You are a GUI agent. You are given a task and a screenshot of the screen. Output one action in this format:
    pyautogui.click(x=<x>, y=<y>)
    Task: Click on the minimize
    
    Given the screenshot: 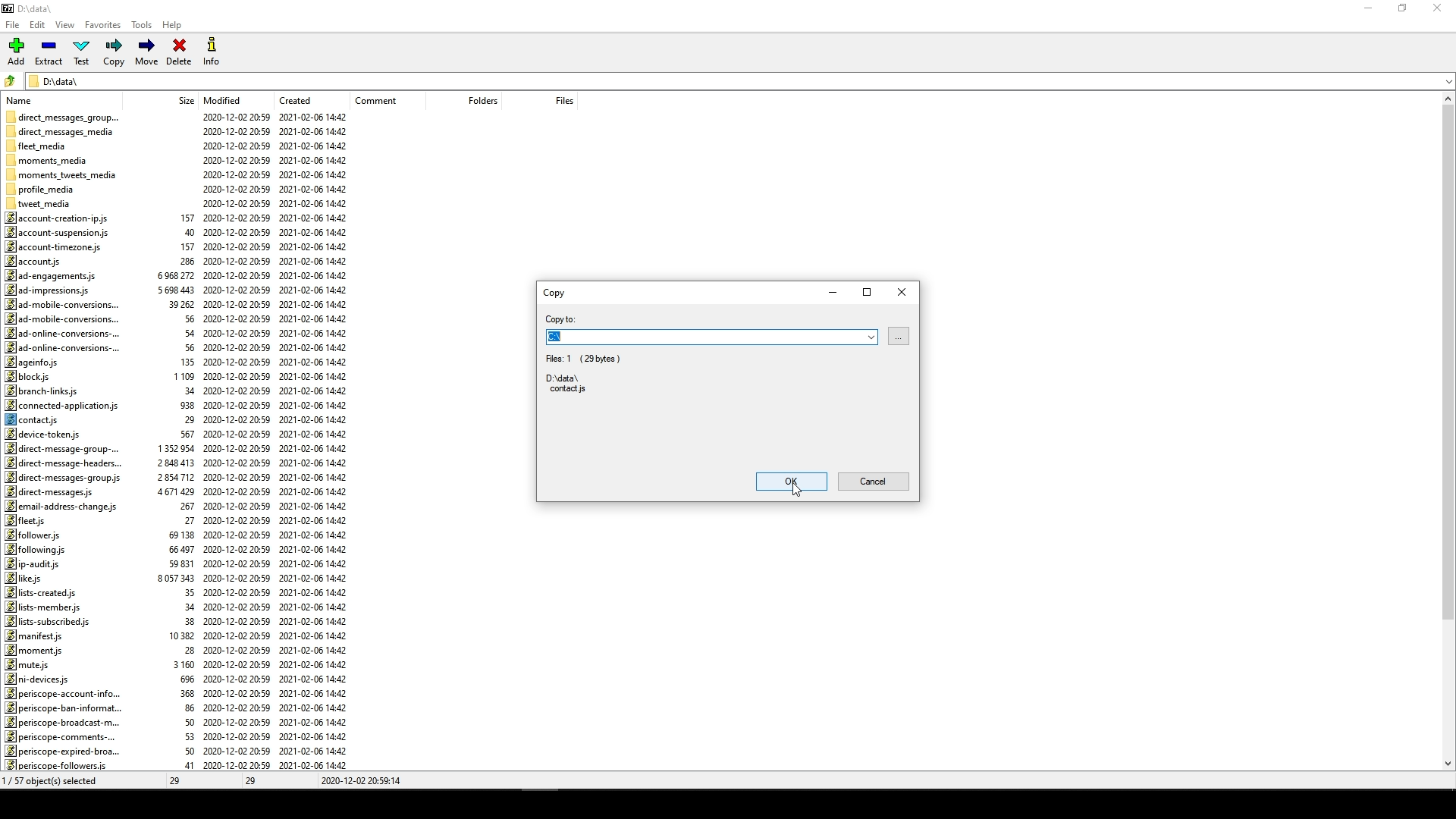 What is the action you would take?
    pyautogui.click(x=1368, y=13)
    